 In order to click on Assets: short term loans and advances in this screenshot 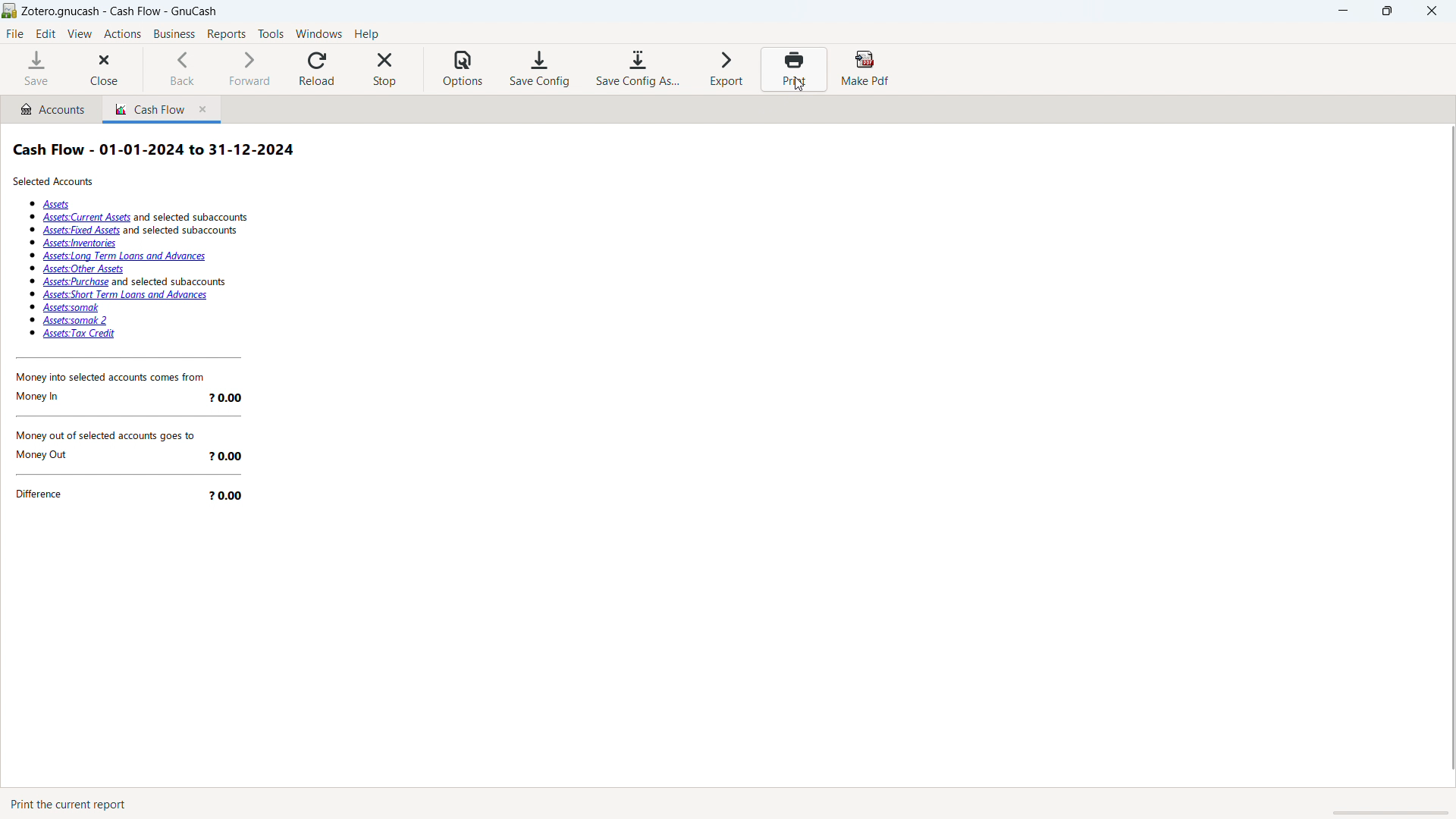, I will do `click(126, 295)`.